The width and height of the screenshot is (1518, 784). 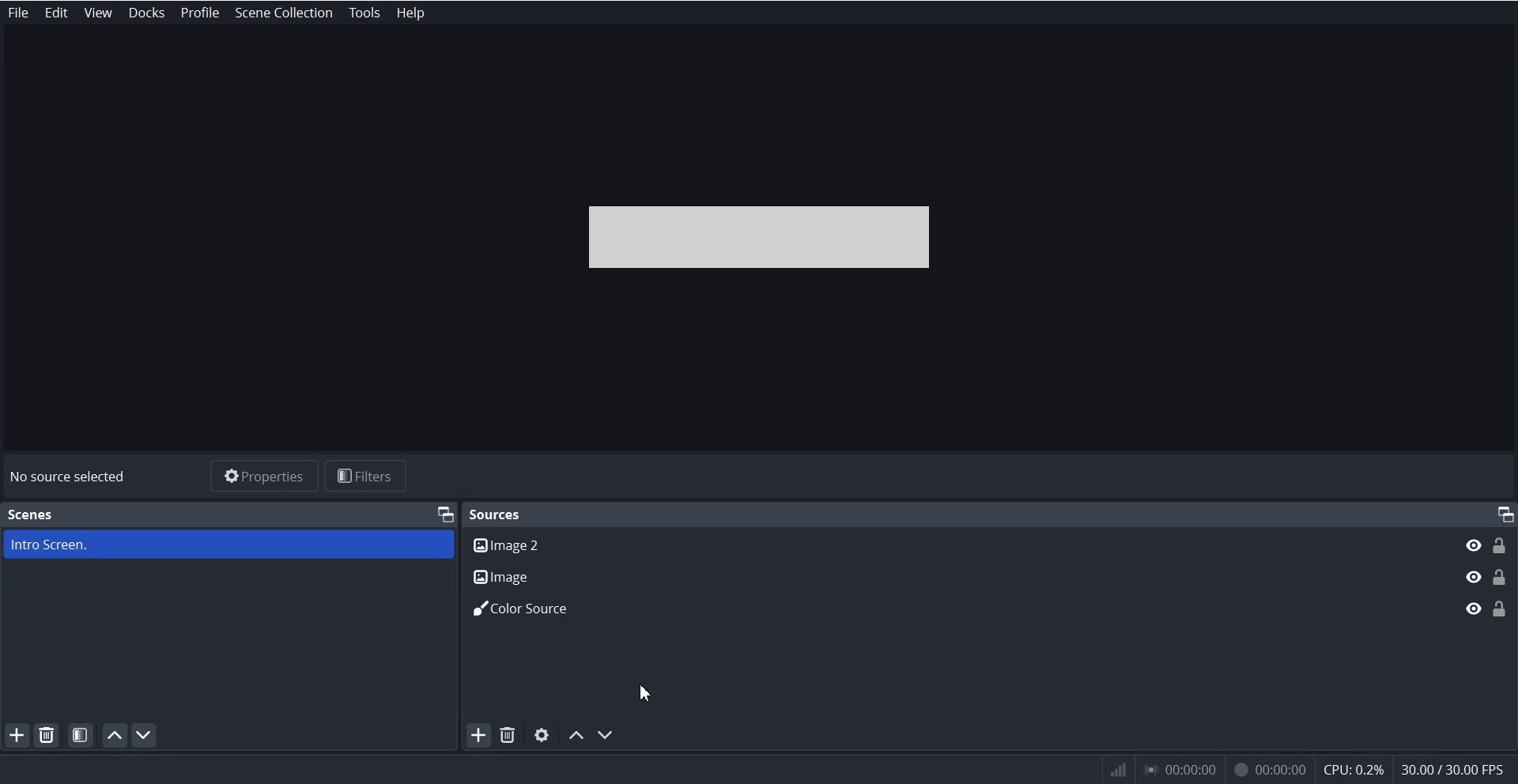 What do you see at coordinates (953, 574) in the screenshot?
I see `Image` at bounding box center [953, 574].